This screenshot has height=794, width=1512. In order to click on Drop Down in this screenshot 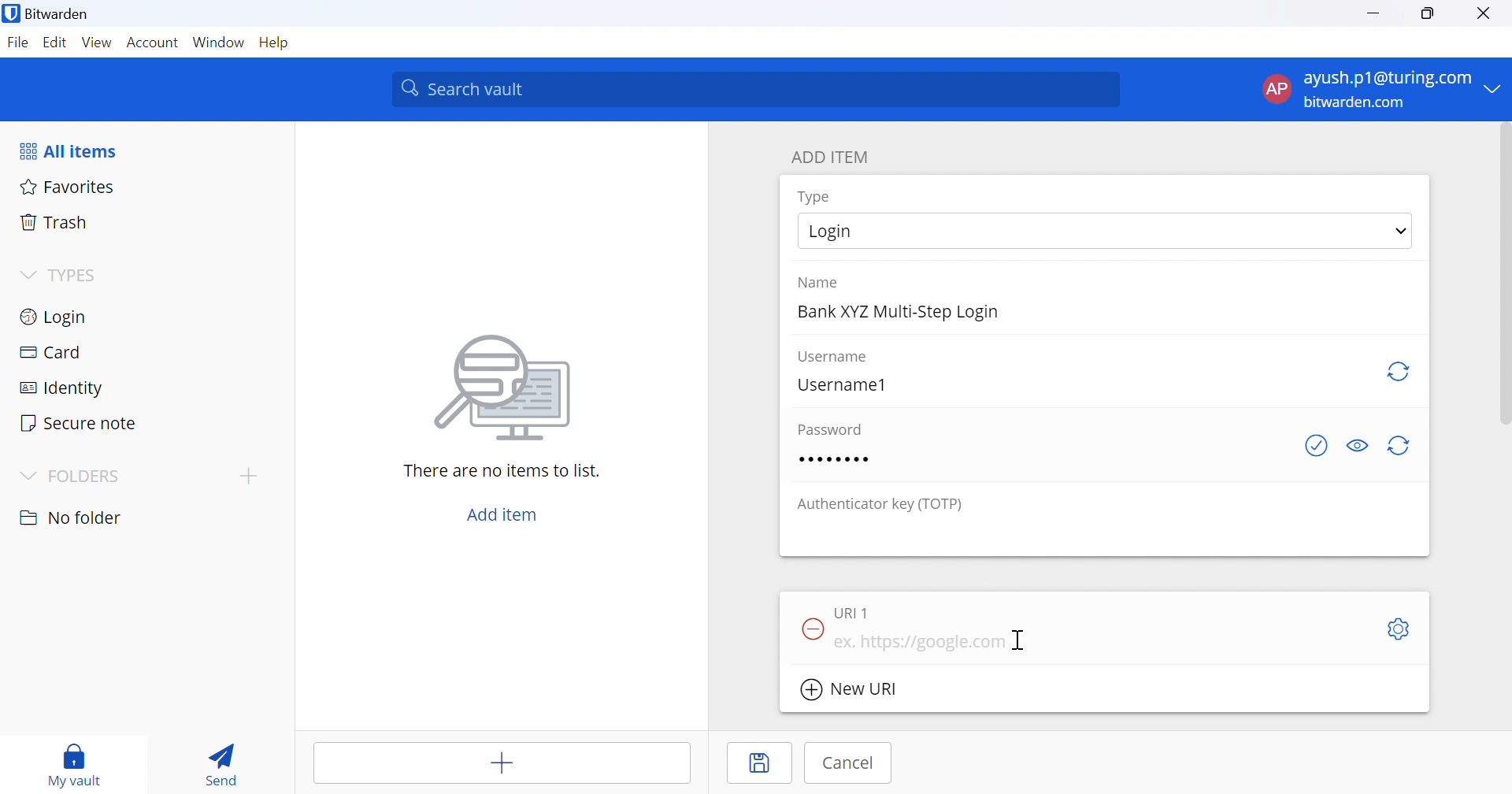, I will do `click(1497, 90)`.